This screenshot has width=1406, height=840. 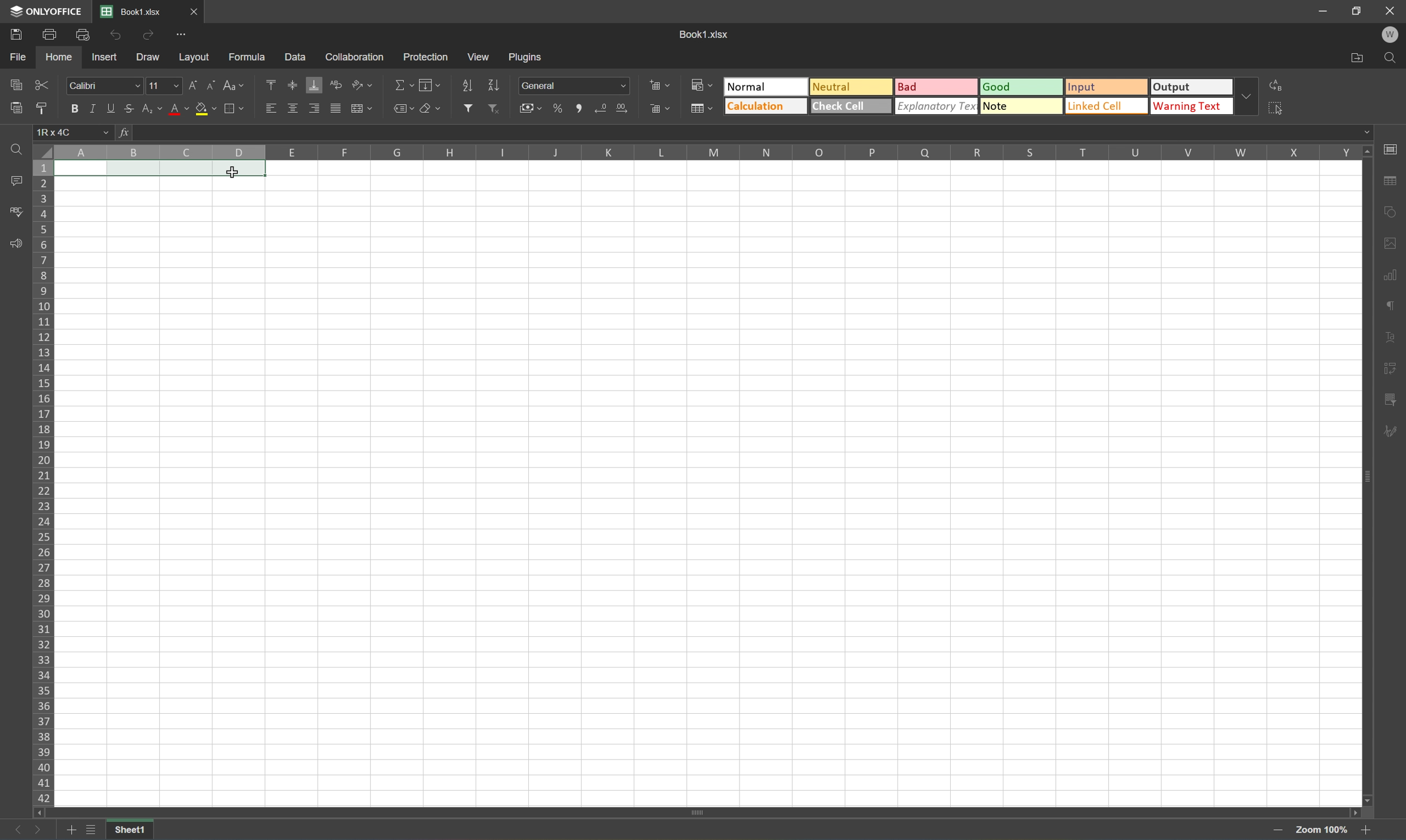 What do you see at coordinates (11, 831) in the screenshot?
I see `Previous` at bounding box center [11, 831].